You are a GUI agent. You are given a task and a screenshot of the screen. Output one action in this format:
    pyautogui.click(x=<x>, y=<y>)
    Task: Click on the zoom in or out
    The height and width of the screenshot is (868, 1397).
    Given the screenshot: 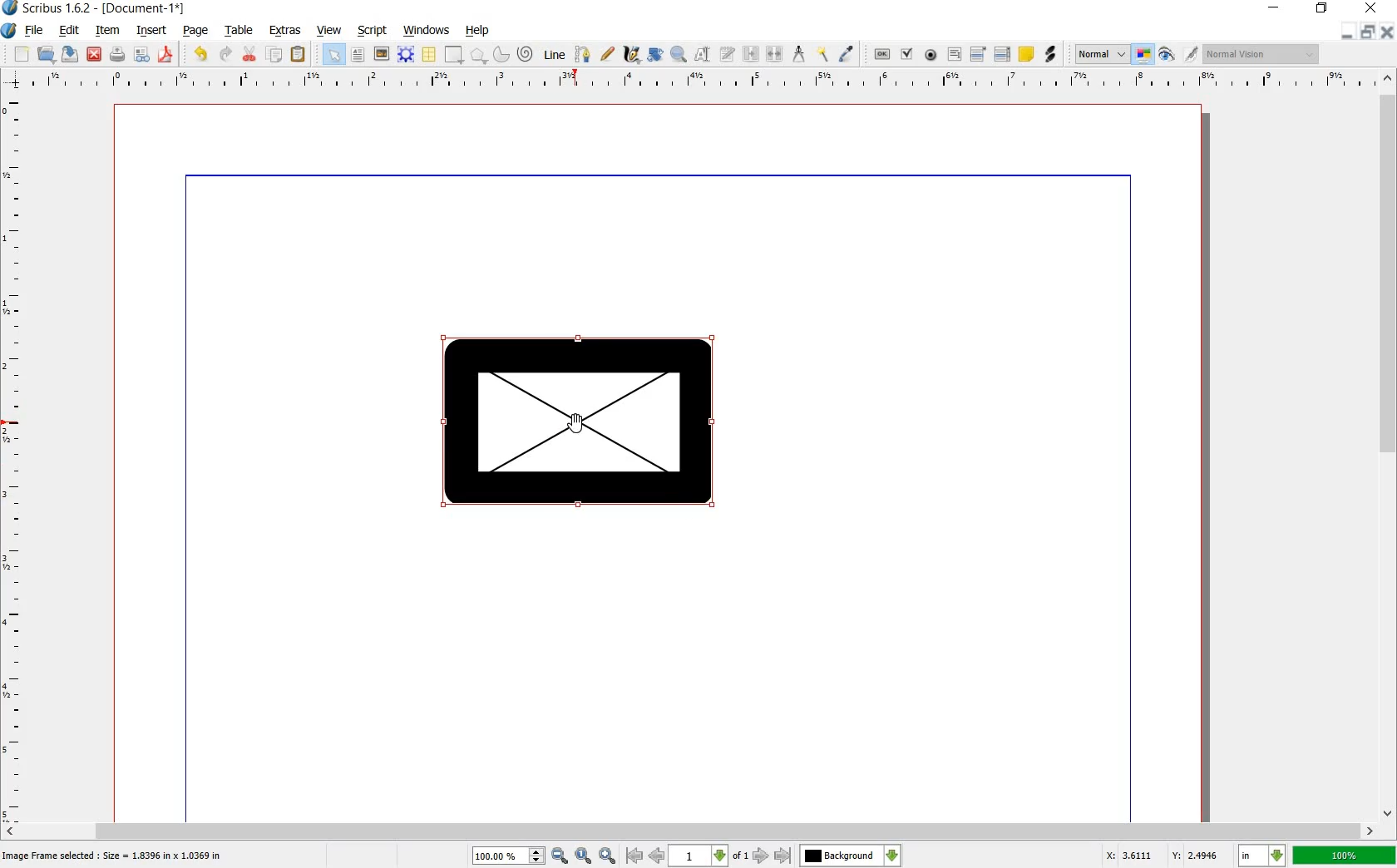 What is the action you would take?
    pyautogui.click(x=678, y=52)
    